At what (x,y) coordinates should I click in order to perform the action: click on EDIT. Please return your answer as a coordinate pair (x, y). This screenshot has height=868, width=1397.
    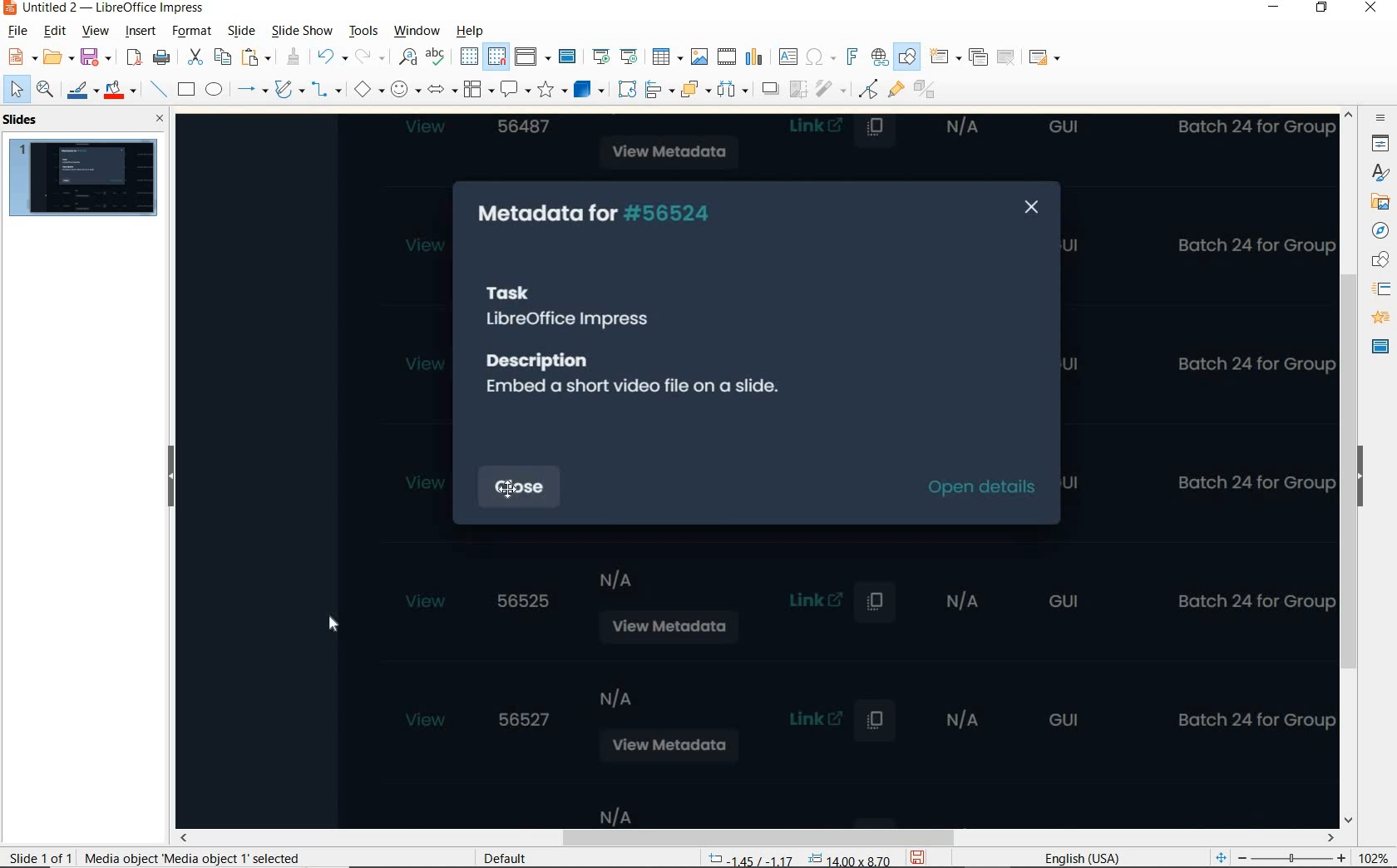
    Looking at the image, I should click on (54, 33).